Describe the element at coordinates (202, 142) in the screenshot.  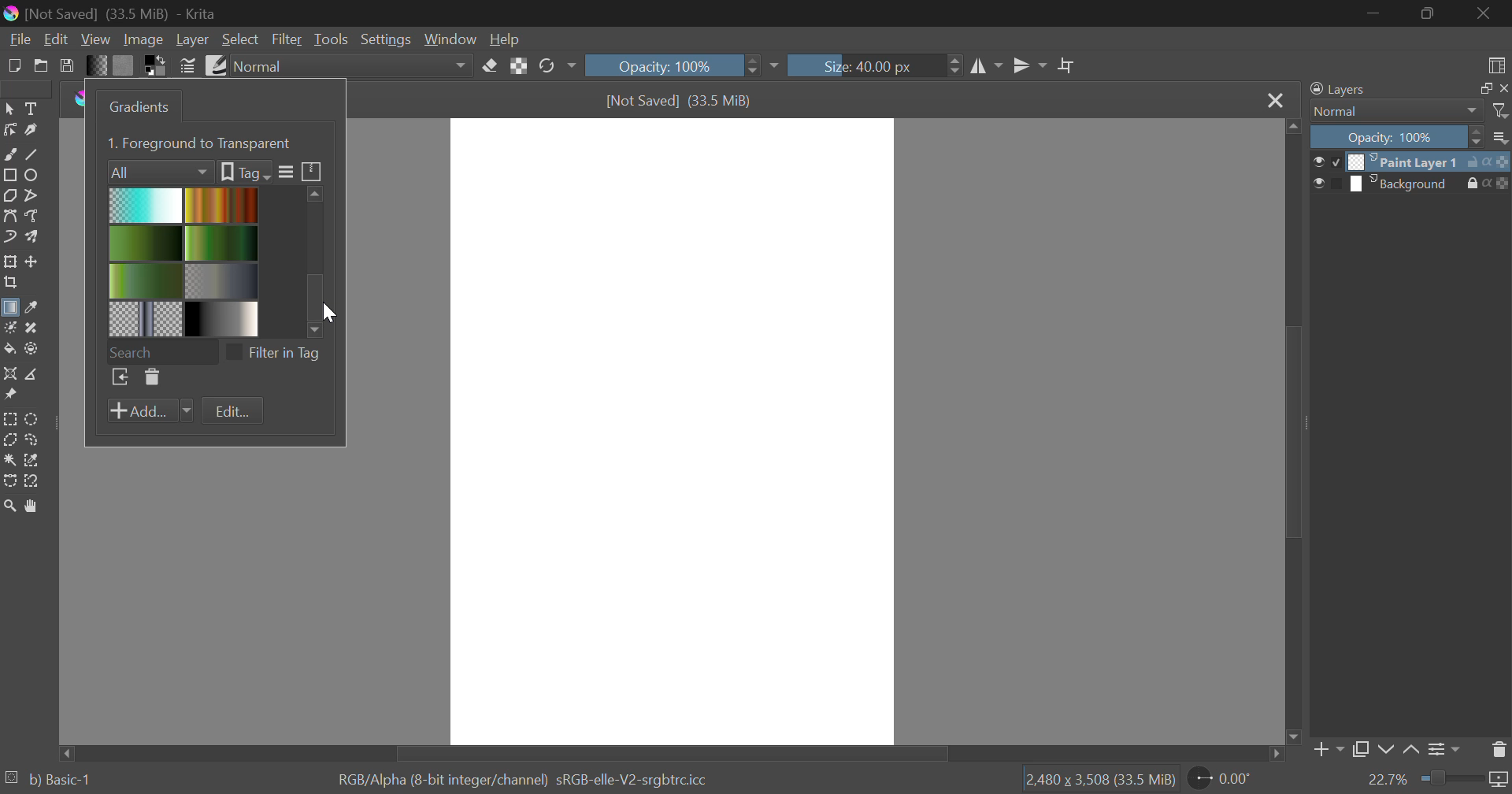
I see `1. Foreground to Transparent` at that location.